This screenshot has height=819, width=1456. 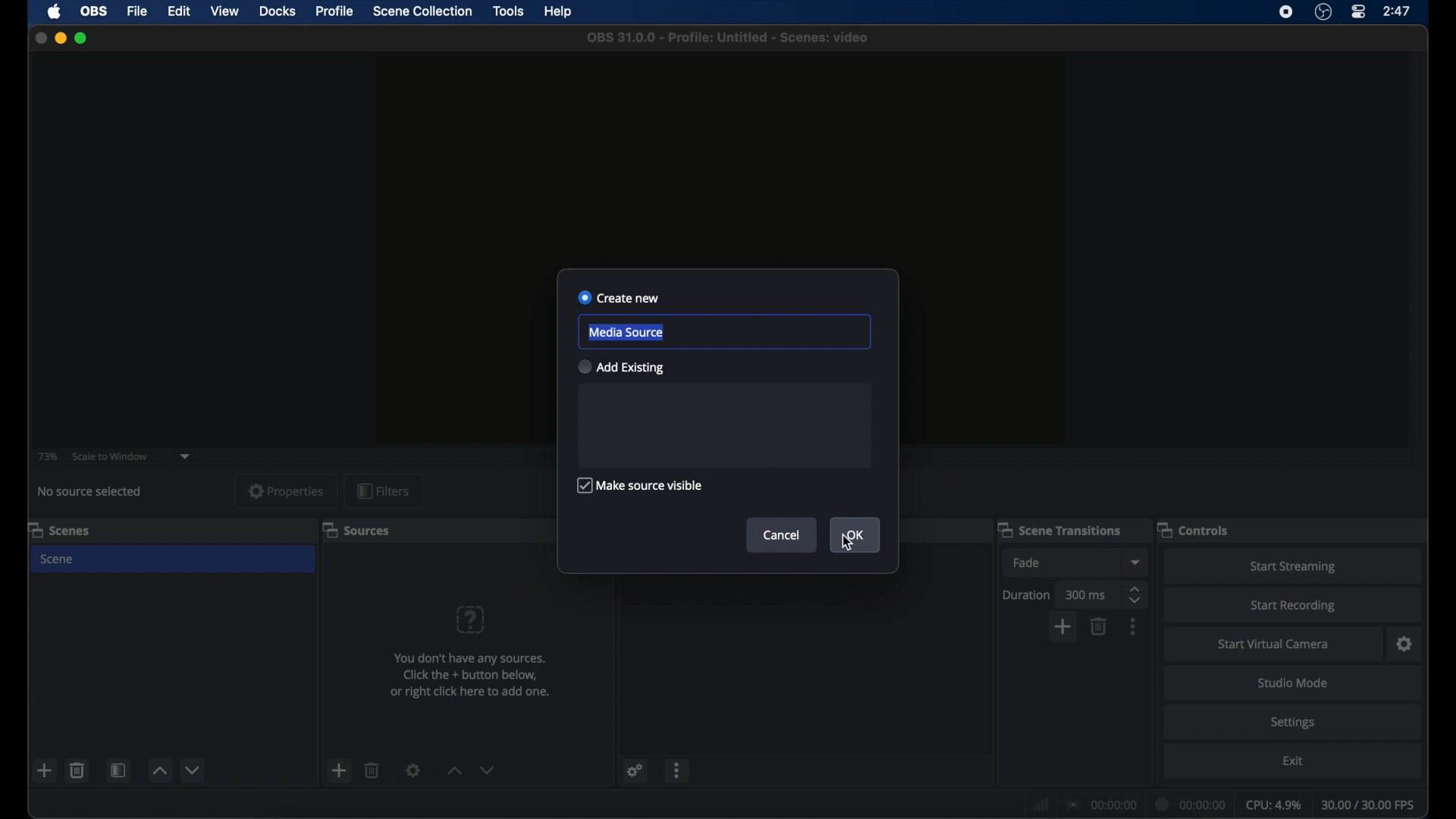 I want to click on start streaming, so click(x=1292, y=566).